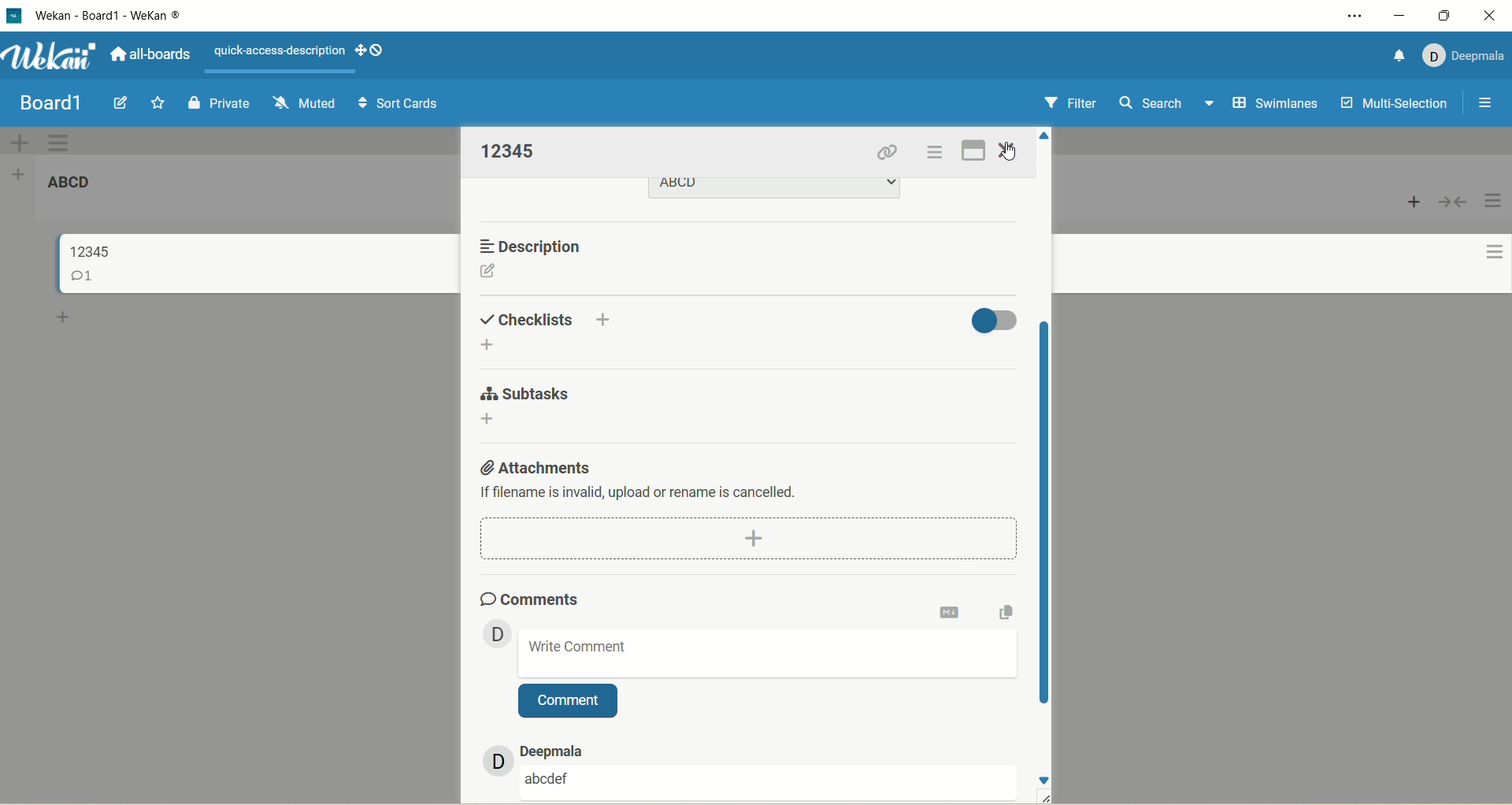 The image size is (1512, 805). Describe the element at coordinates (1047, 133) in the screenshot. I see `click to scroll up` at that location.